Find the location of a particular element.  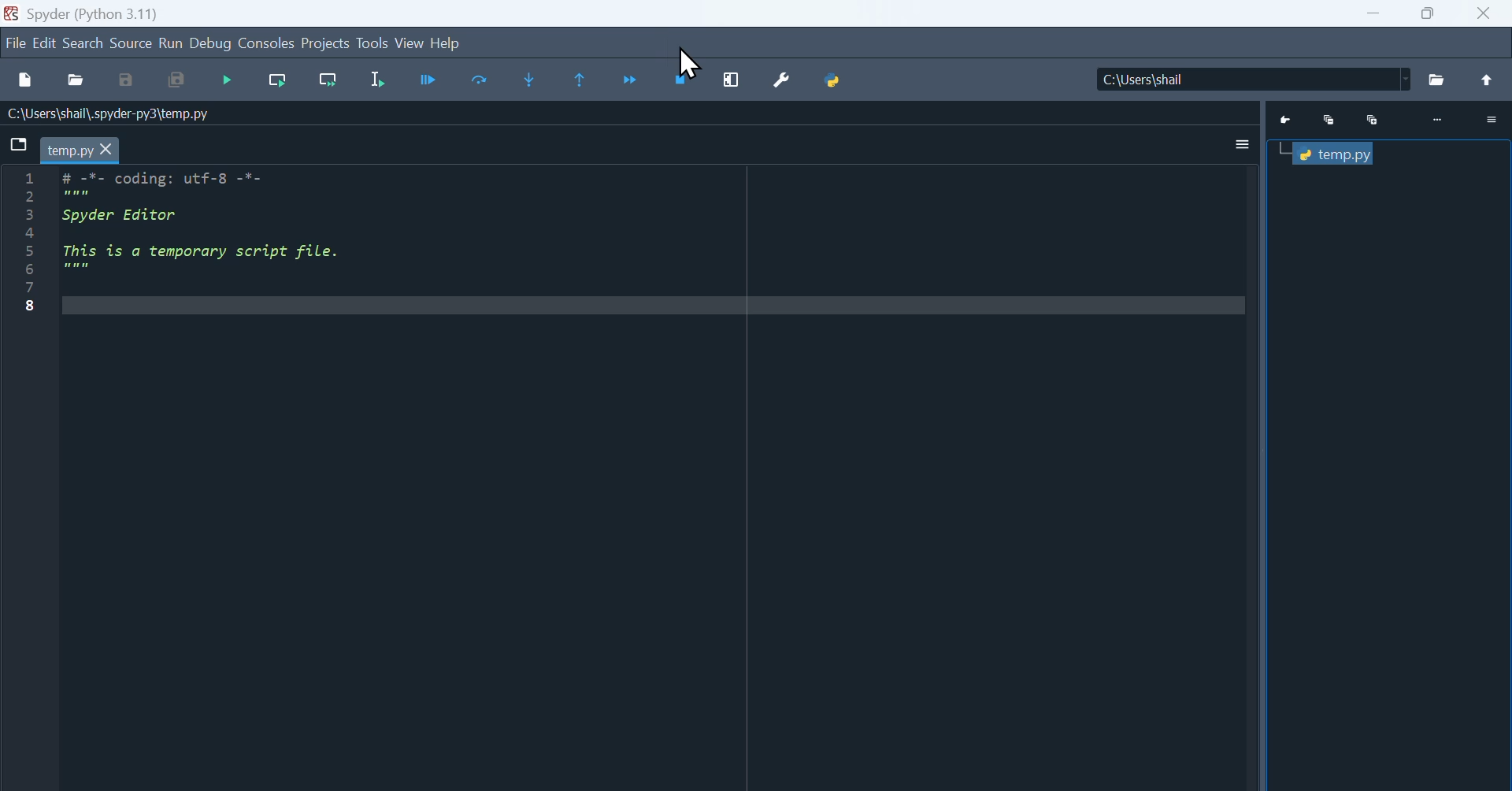

Edit is located at coordinates (45, 45).